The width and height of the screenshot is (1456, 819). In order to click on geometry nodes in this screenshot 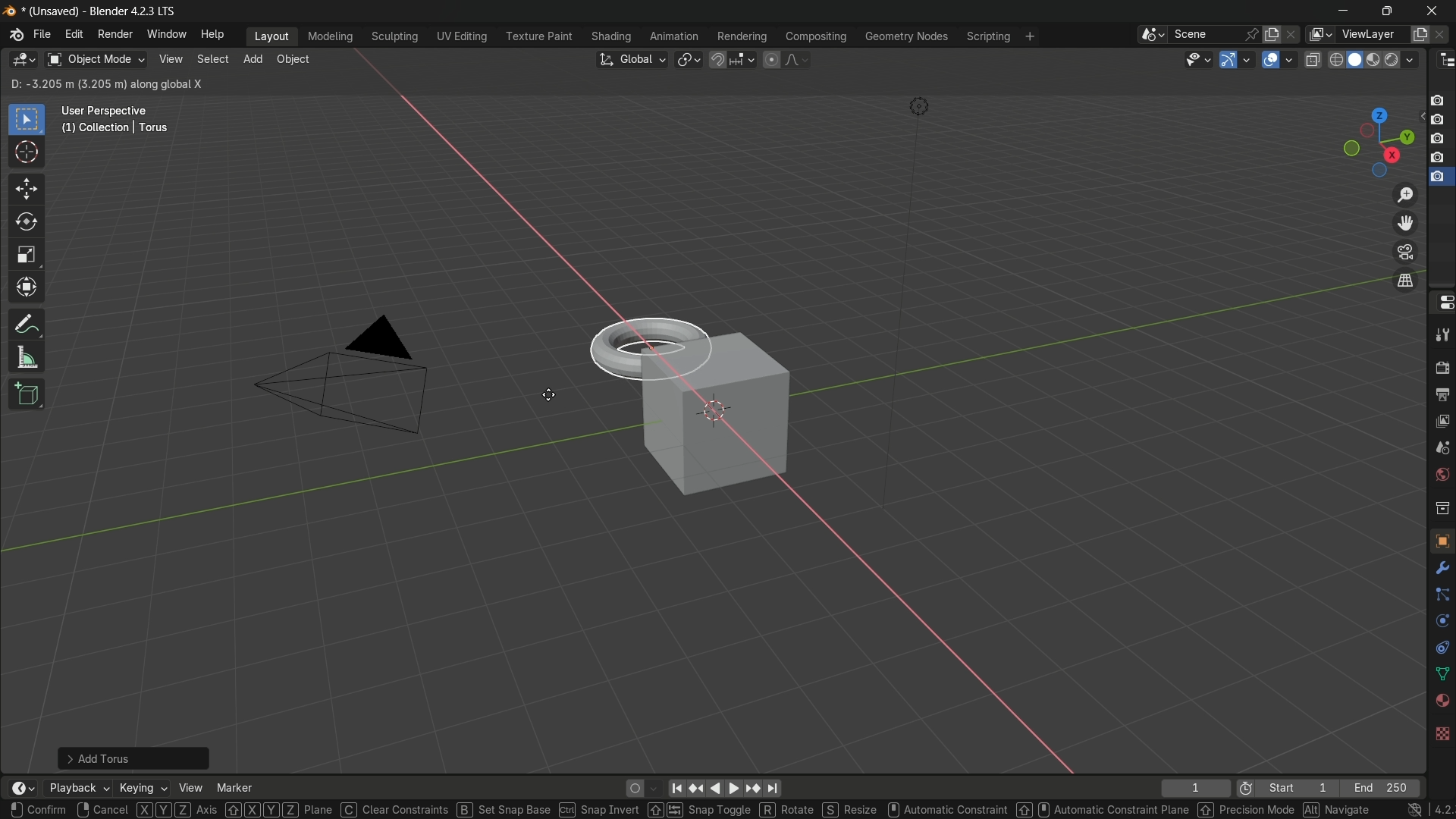, I will do `click(905, 37)`.